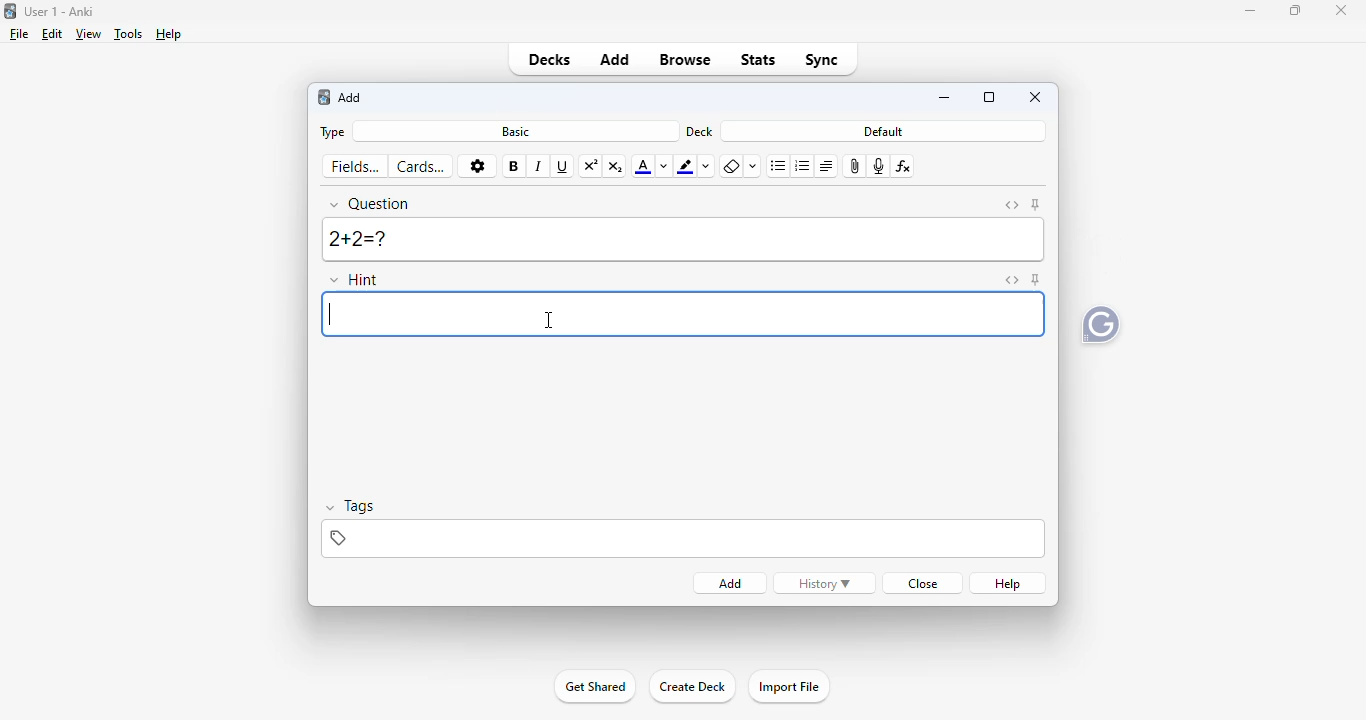  I want to click on stats, so click(757, 60).